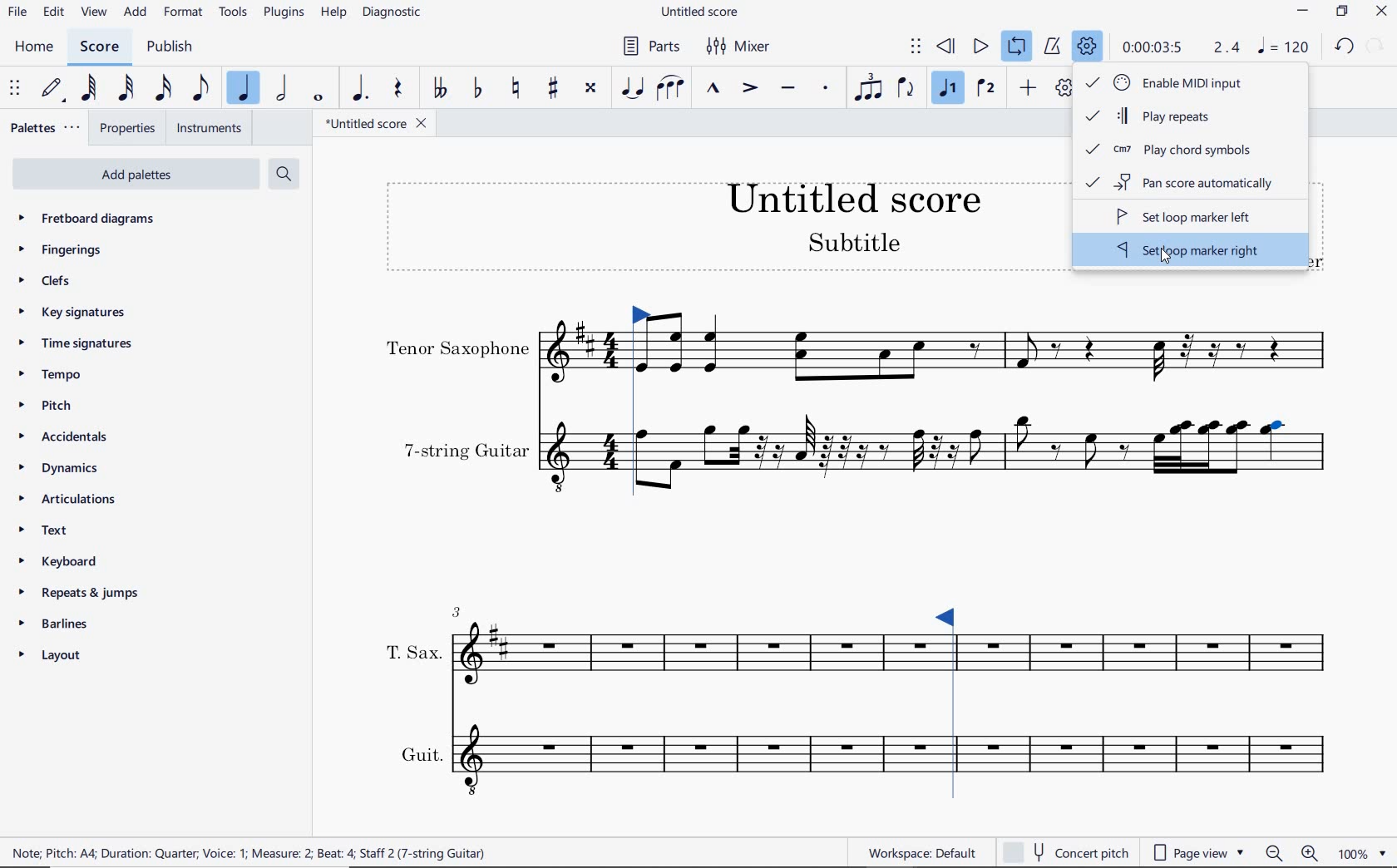  I want to click on Enable MIDI Input, so click(1181, 81).